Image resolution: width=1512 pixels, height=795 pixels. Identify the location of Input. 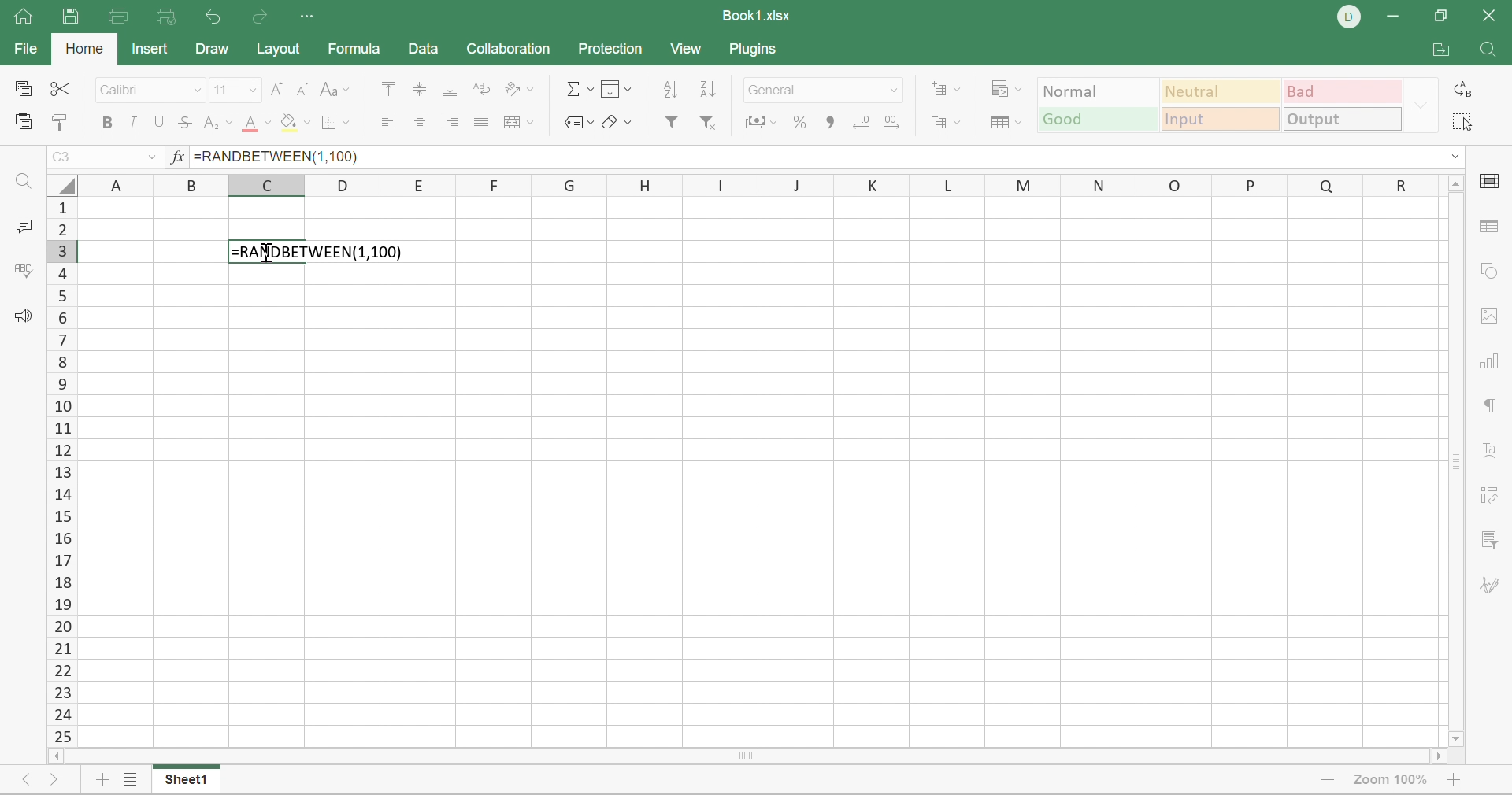
(1221, 120).